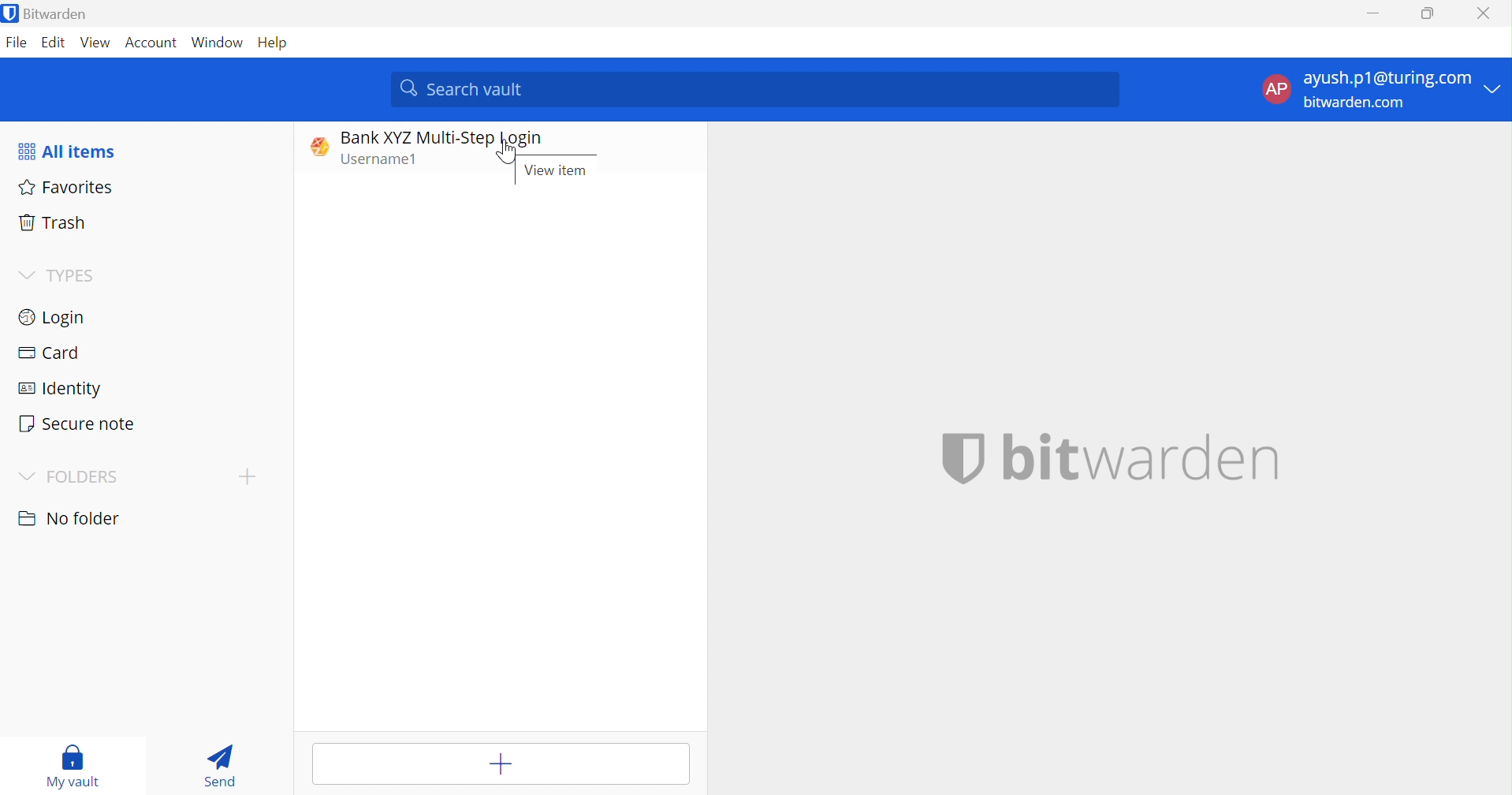 Image resolution: width=1512 pixels, height=795 pixels. Describe the element at coordinates (77, 424) in the screenshot. I see `Secure note` at that location.